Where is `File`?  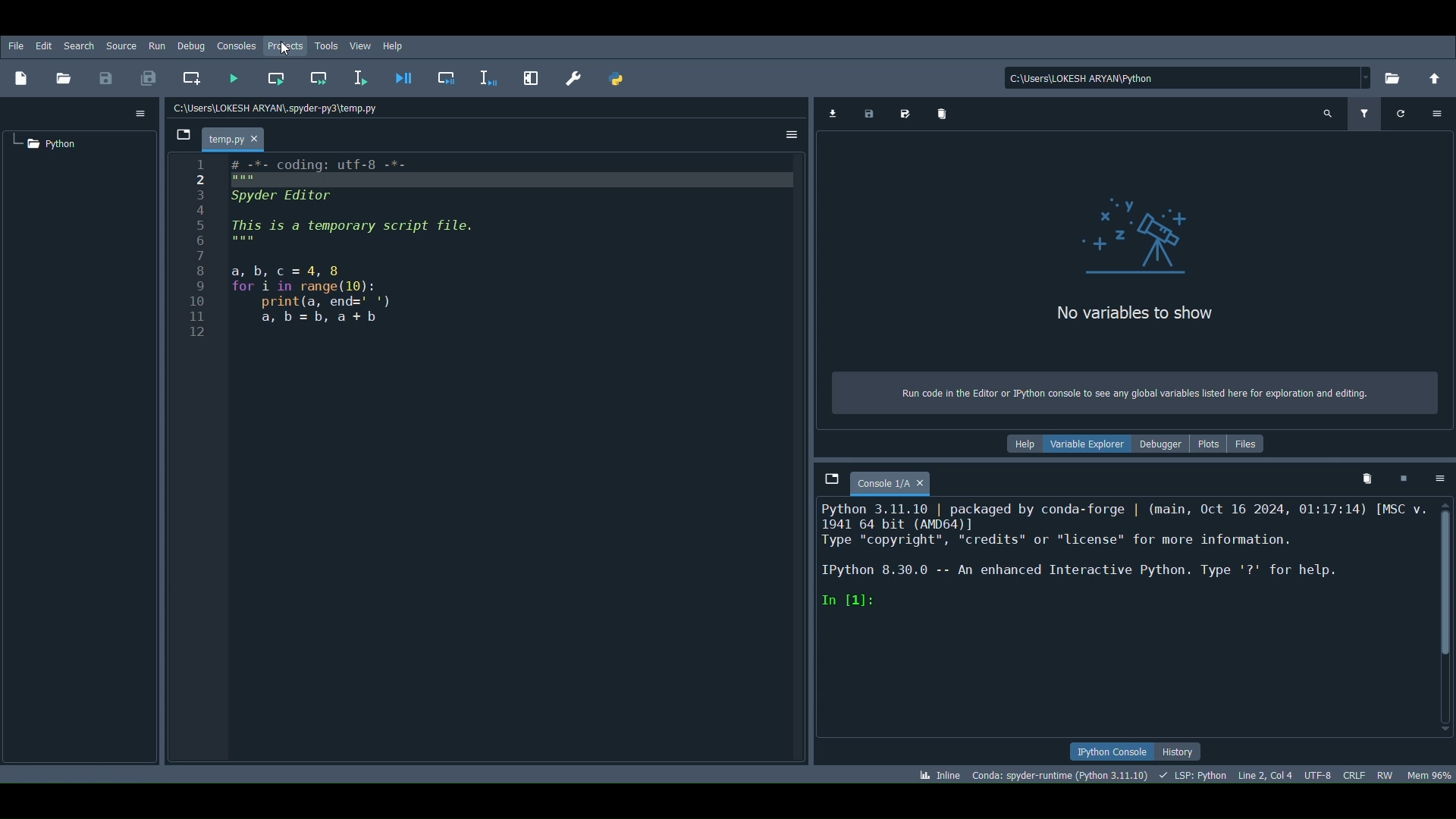 File is located at coordinates (15, 45).